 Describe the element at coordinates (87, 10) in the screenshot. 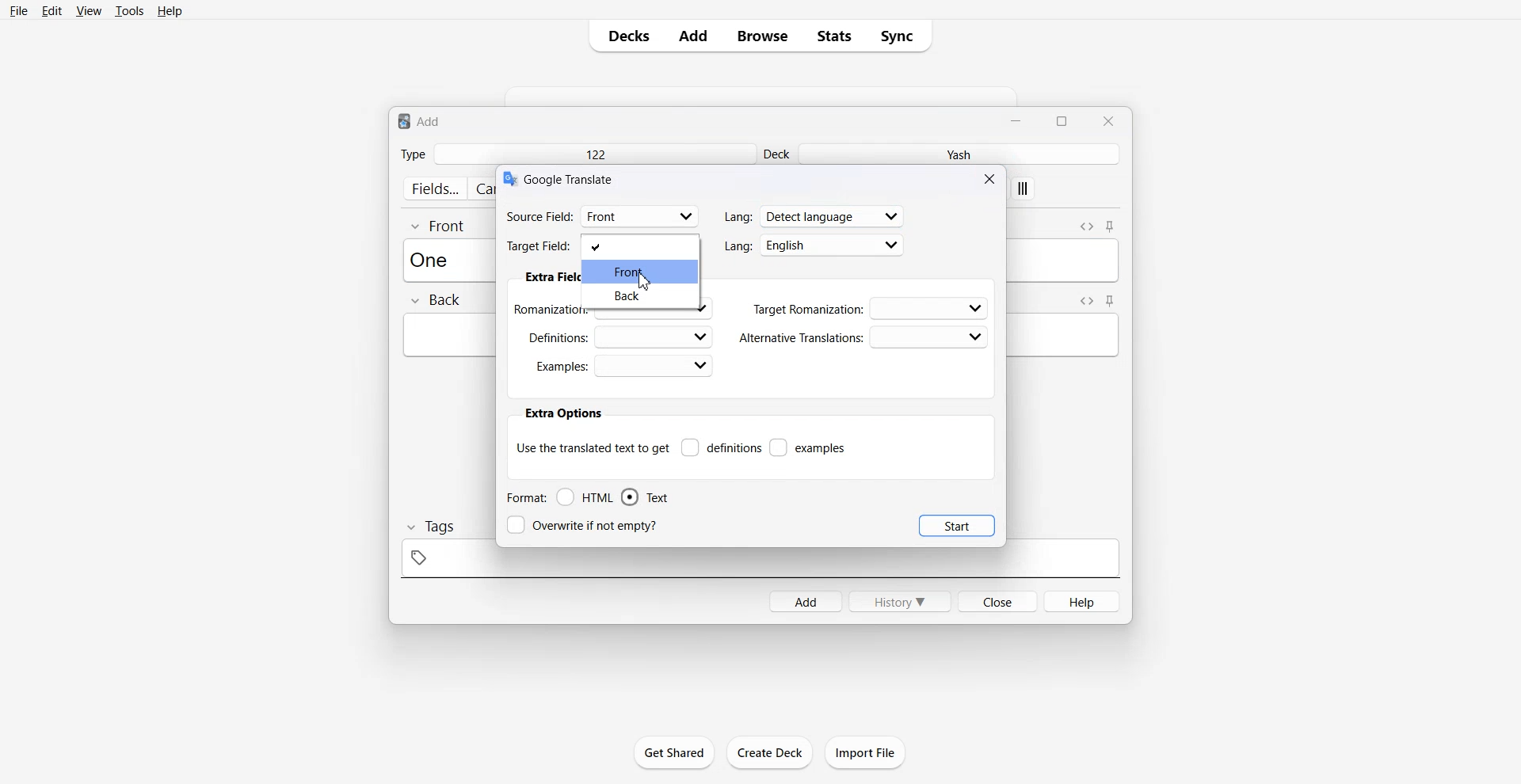

I see `View` at that location.